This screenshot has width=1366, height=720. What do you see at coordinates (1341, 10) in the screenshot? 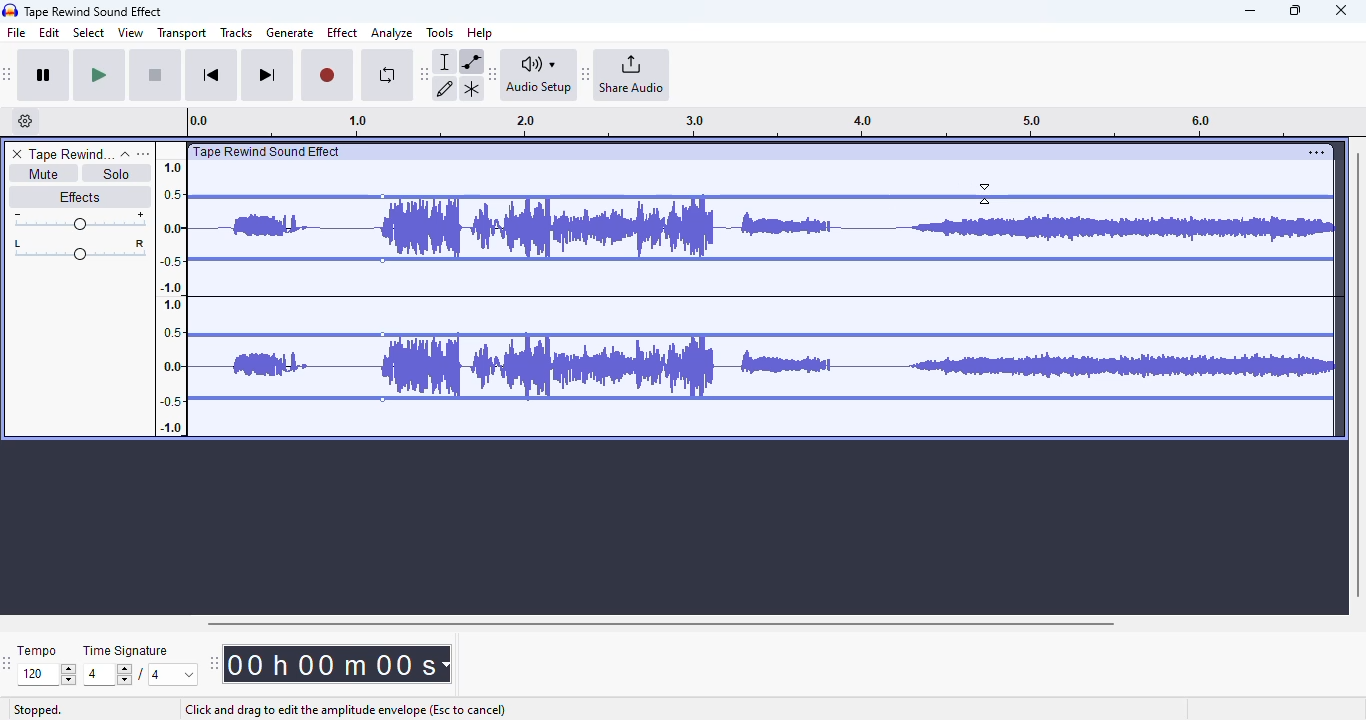
I see `close` at bounding box center [1341, 10].